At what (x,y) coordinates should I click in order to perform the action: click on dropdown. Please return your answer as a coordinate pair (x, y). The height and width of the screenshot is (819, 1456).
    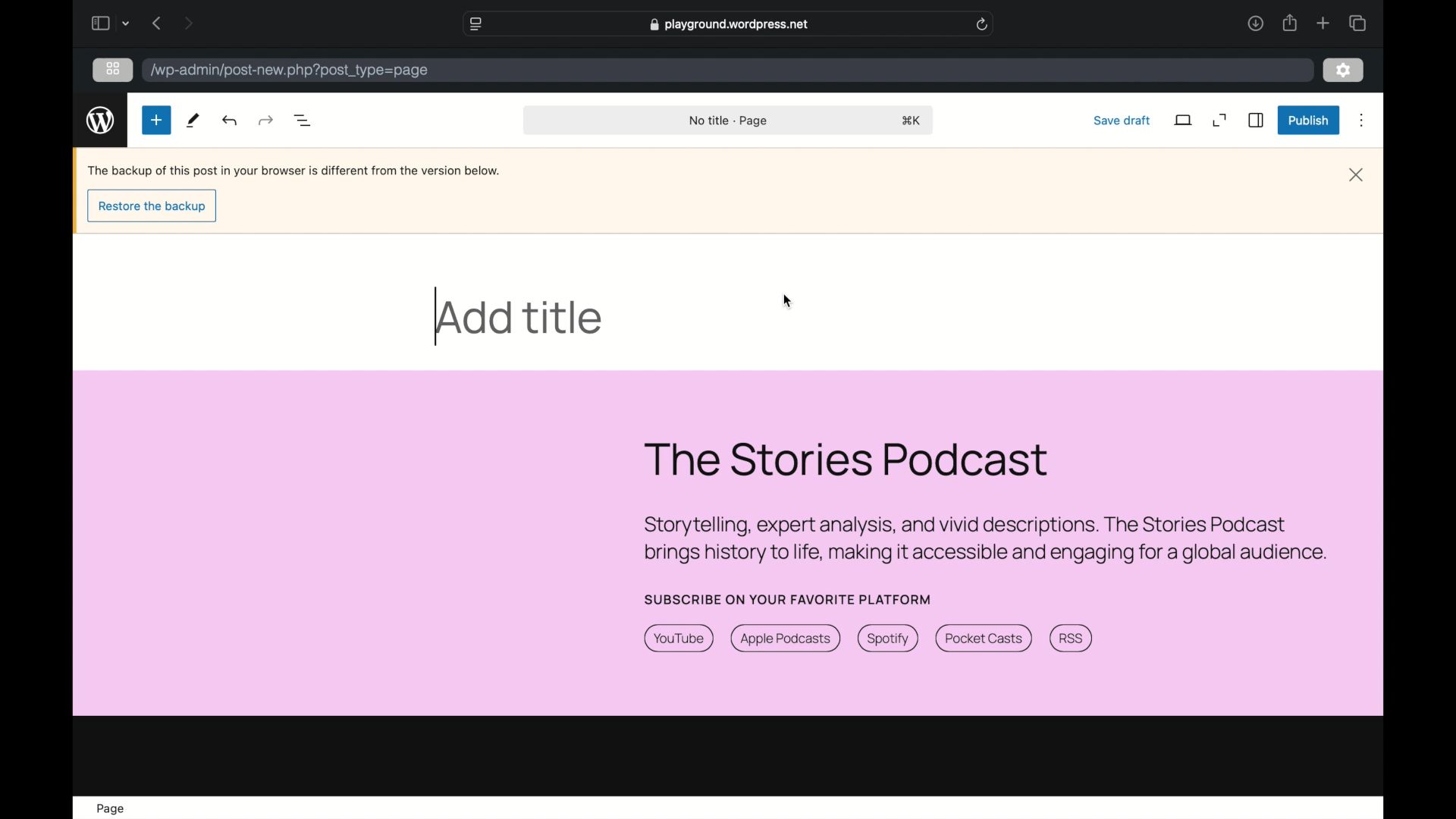
    Looking at the image, I should click on (127, 25).